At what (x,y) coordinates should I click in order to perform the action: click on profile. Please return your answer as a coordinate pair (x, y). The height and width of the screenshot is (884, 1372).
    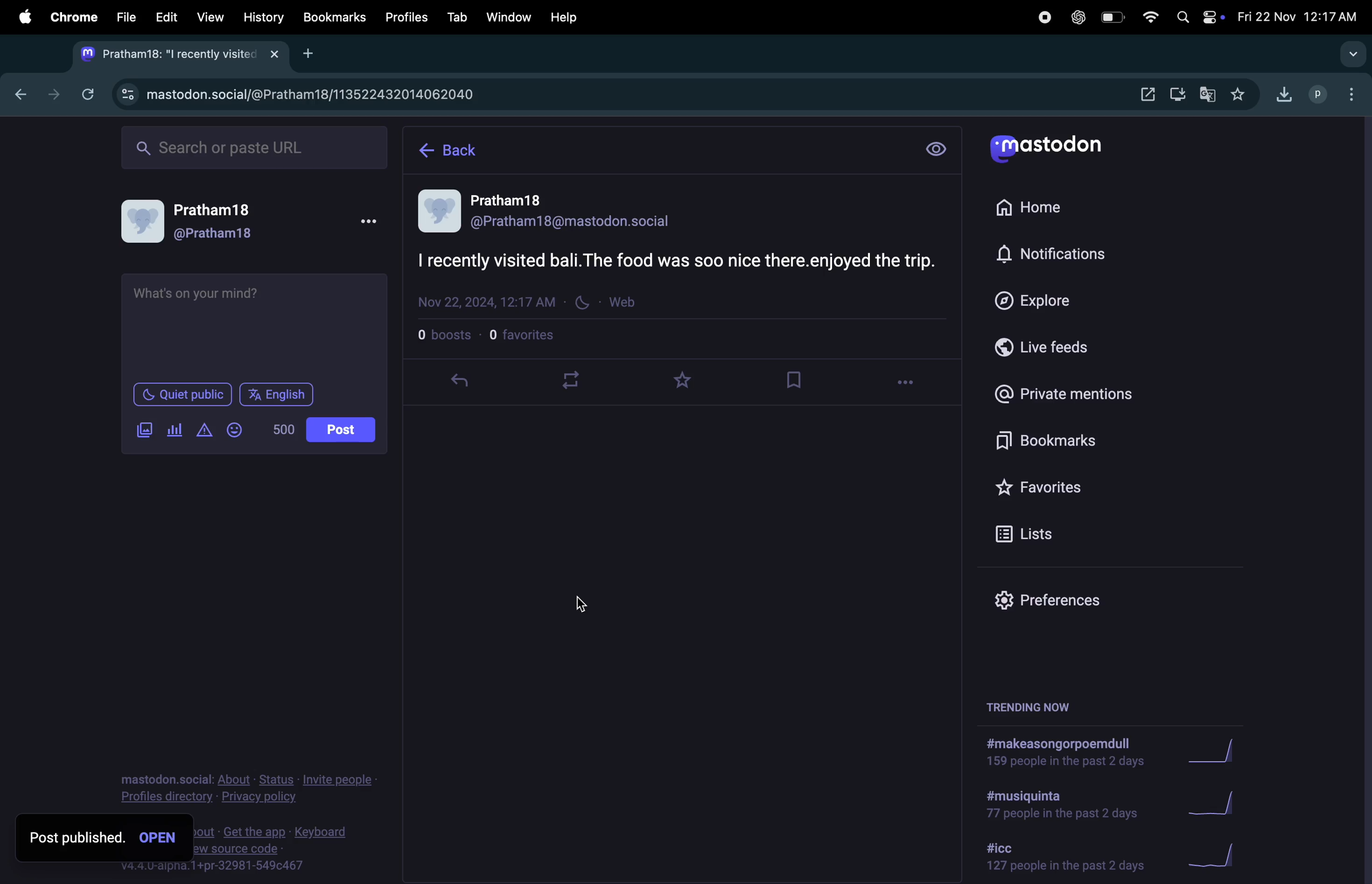
    Looking at the image, I should click on (1315, 95).